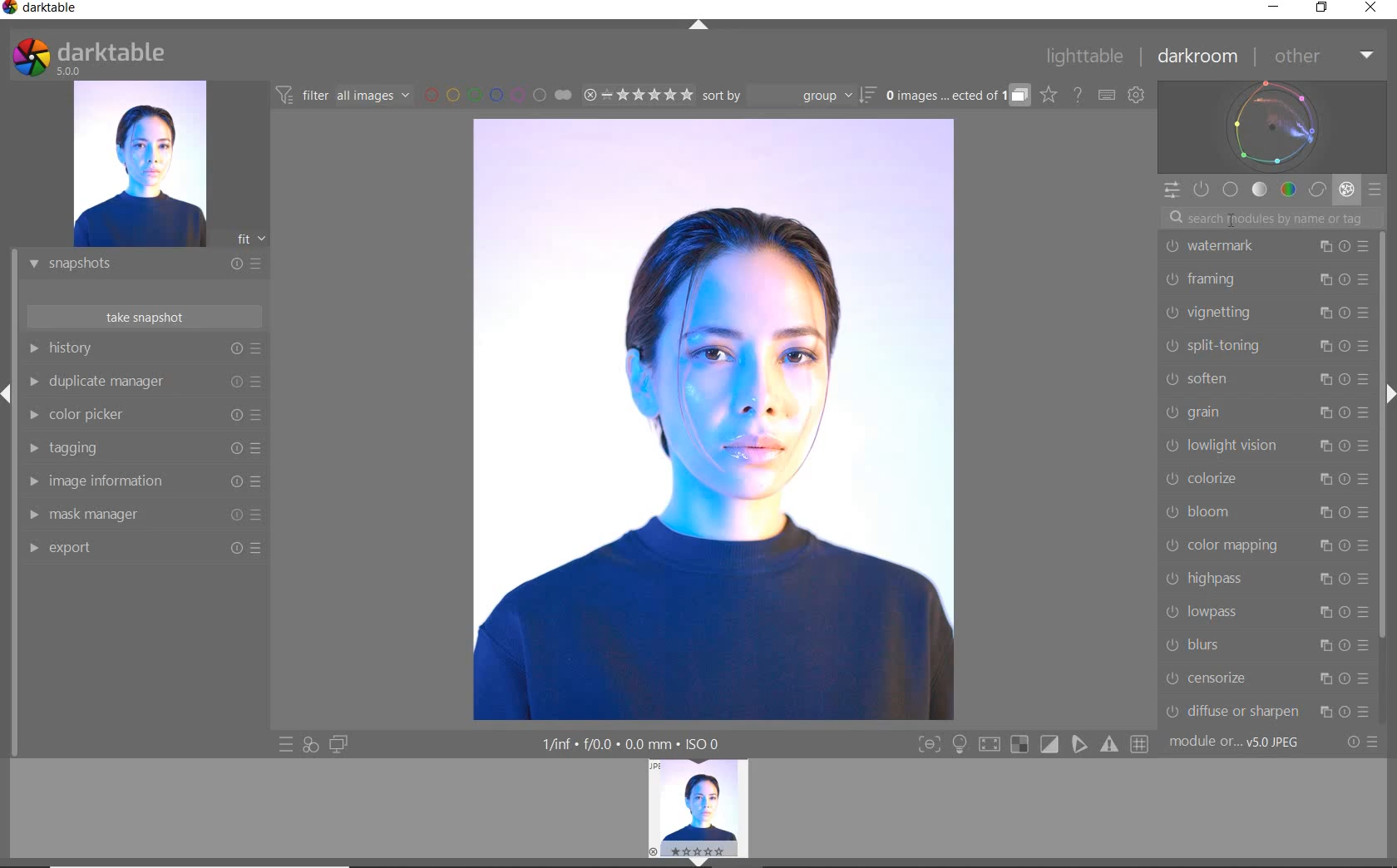  I want to click on IMAGE INFORMATION, so click(139, 486).